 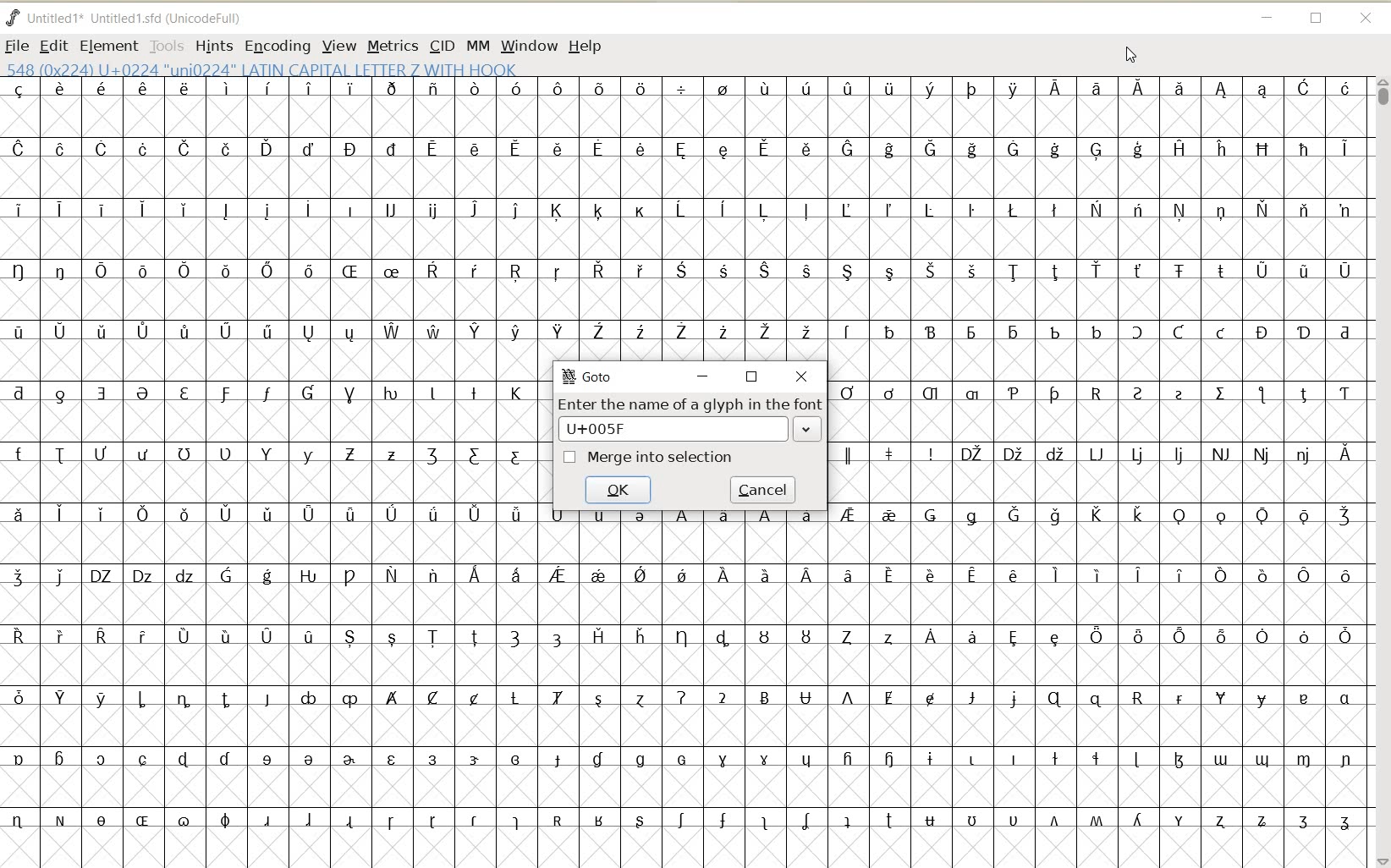 I want to click on Untitled1*Untitled1.sfd (UnicodeFull), so click(x=138, y=18).